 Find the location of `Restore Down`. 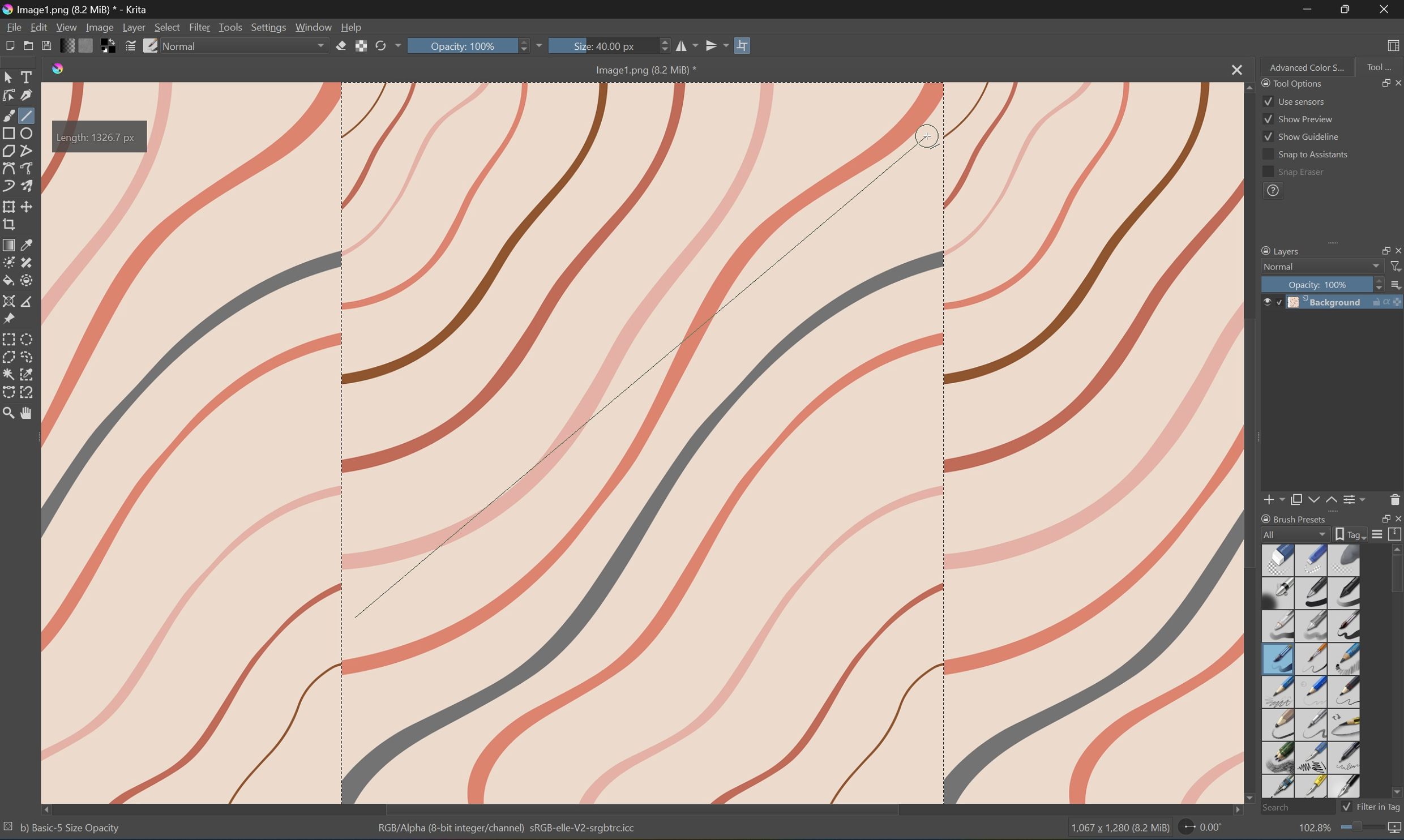

Restore Down is located at coordinates (1380, 518).